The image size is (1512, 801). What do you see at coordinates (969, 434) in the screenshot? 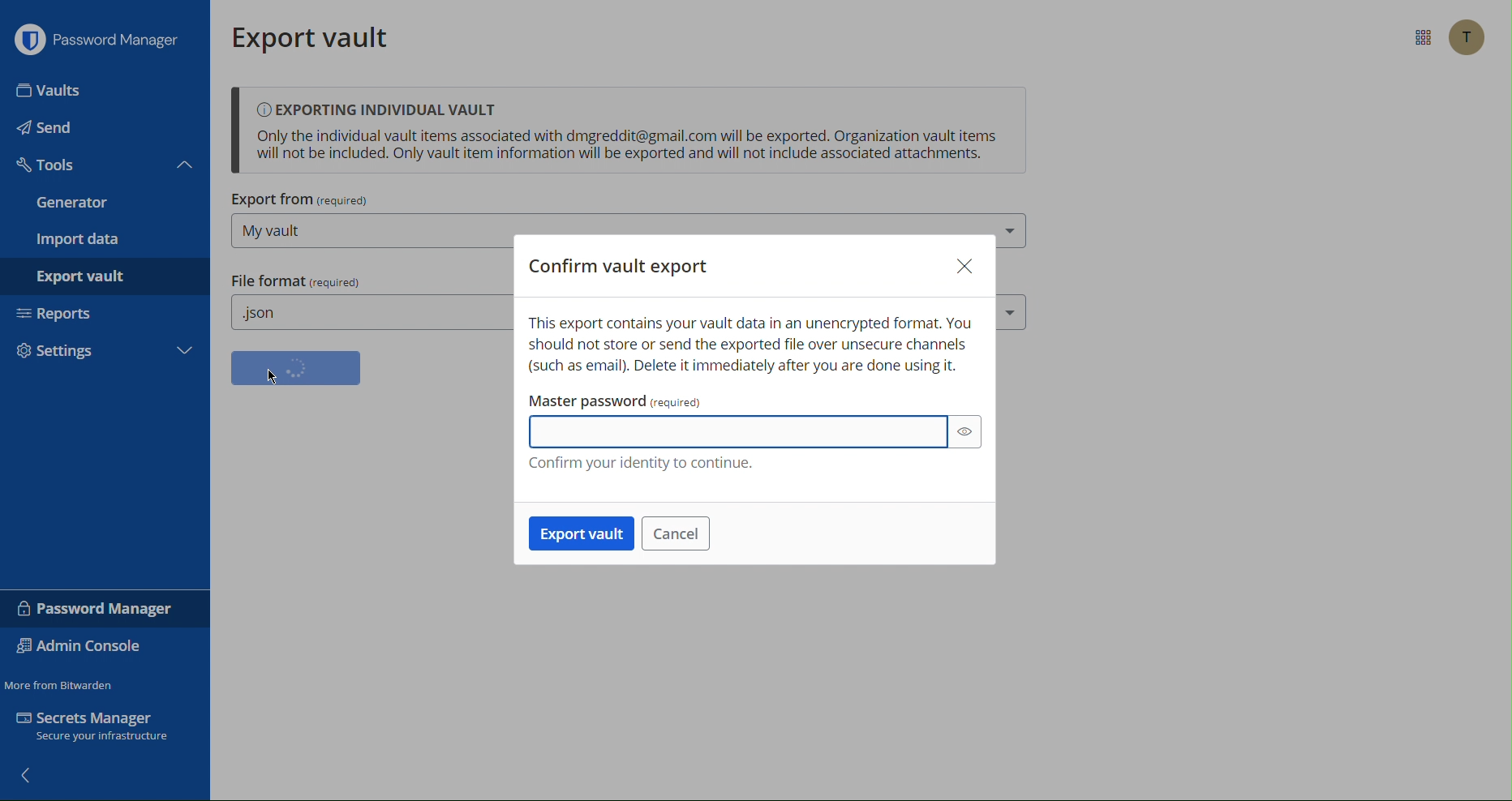
I see ` eye button` at bounding box center [969, 434].